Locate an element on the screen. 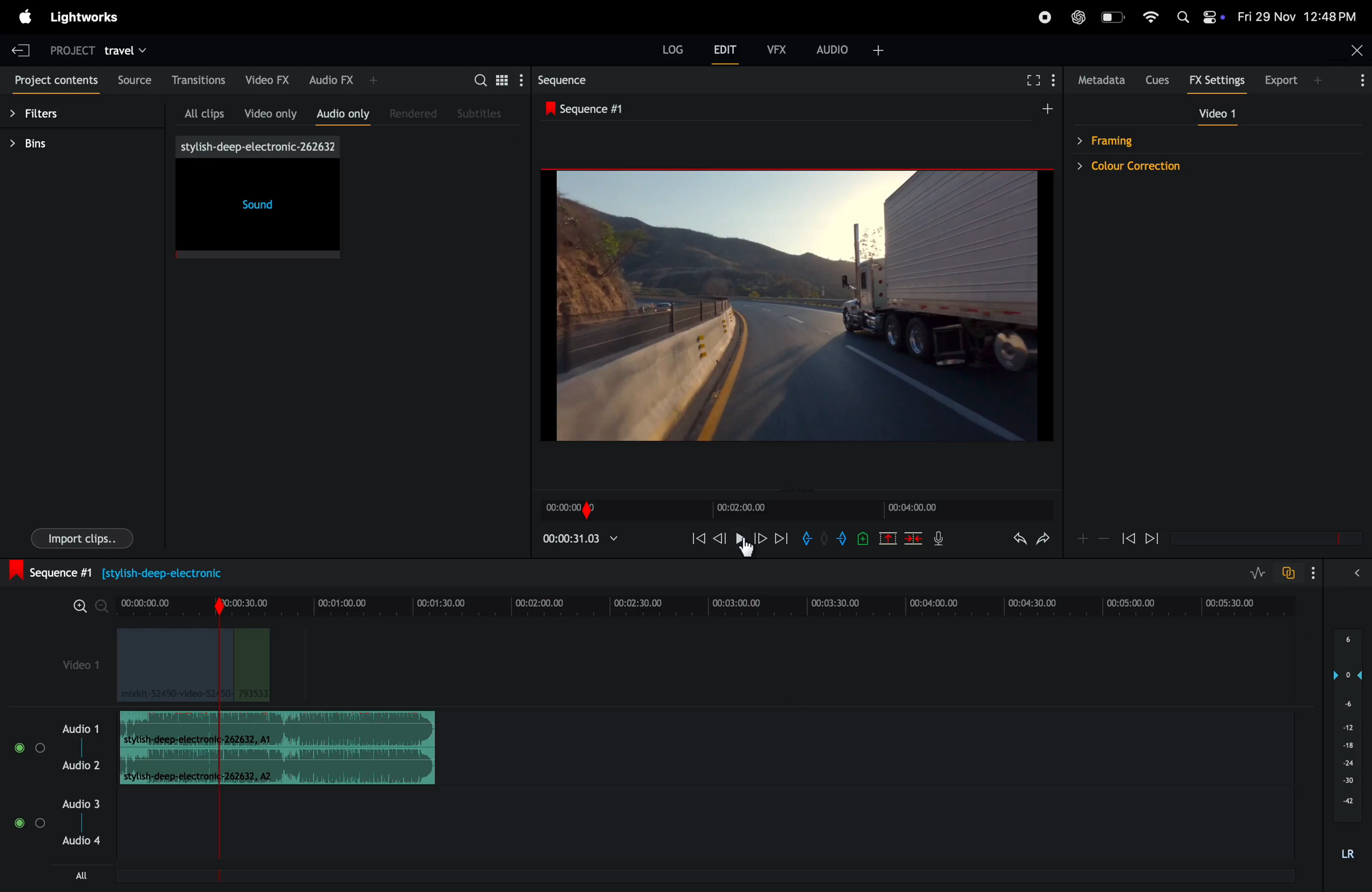  options is located at coordinates (1357, 82).